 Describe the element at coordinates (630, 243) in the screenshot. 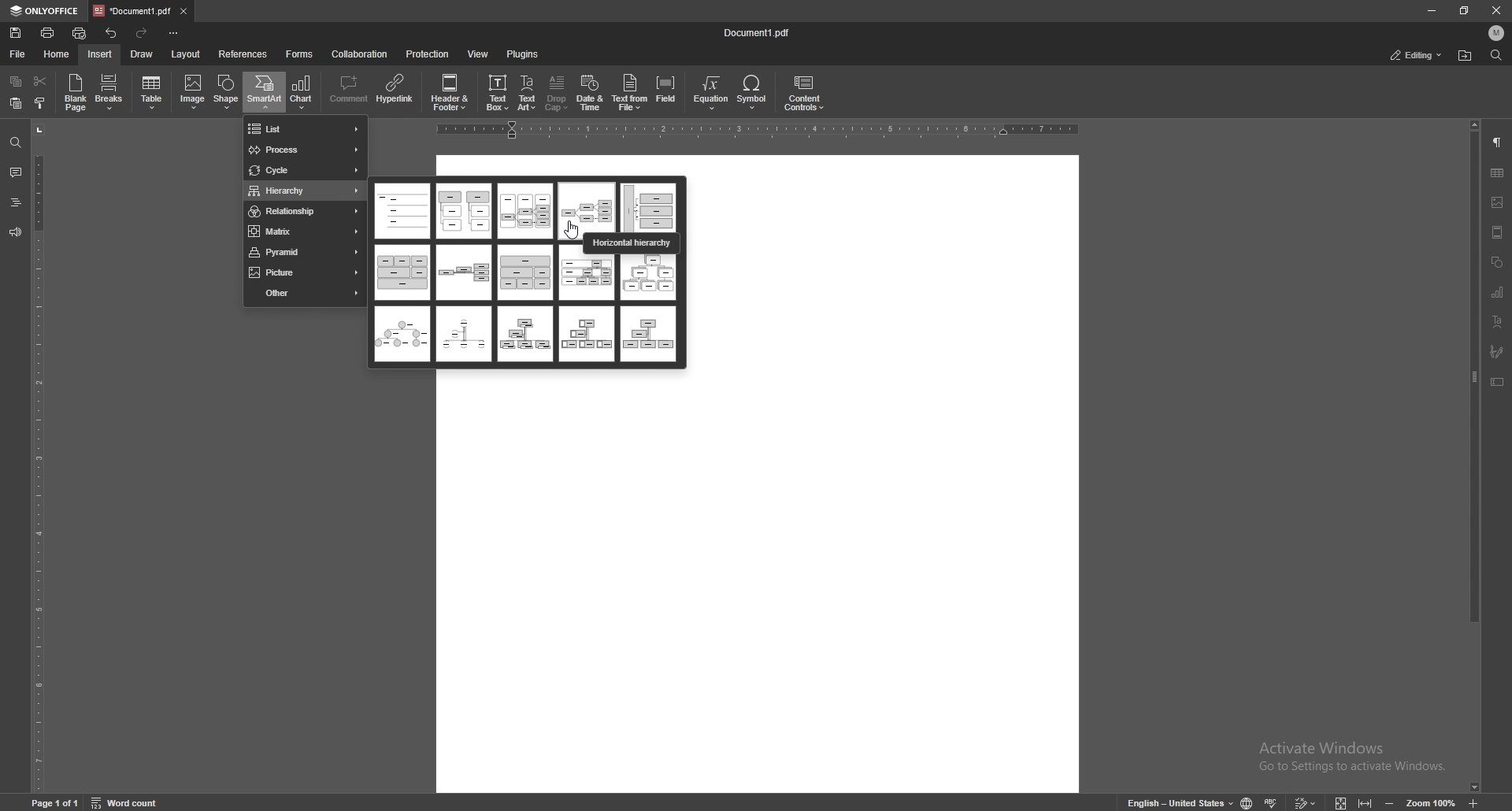

I see `tooltip` at that location.